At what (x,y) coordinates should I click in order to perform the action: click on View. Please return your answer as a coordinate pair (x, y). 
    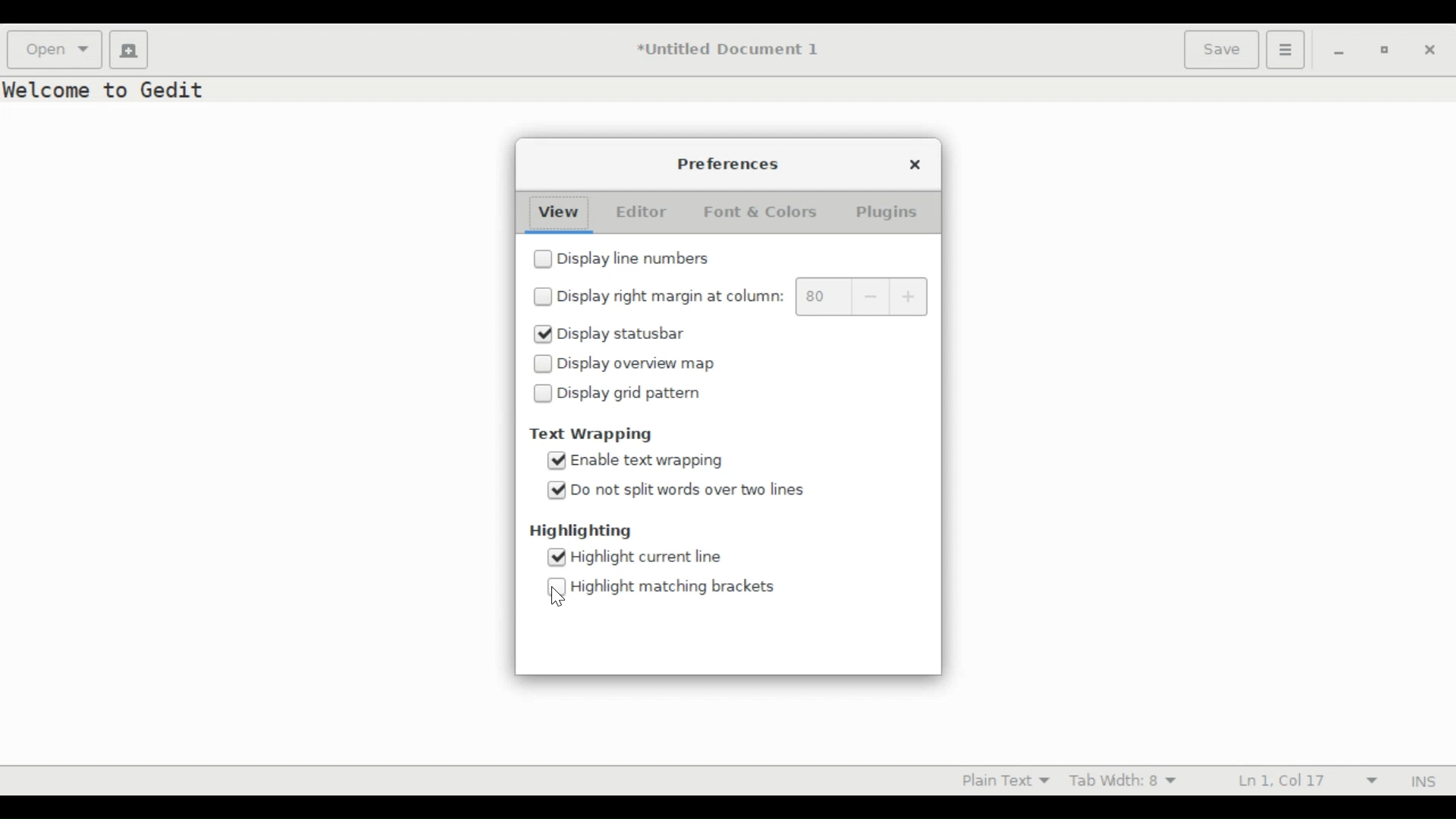
    Looking at the image, I should click on (554, 211).